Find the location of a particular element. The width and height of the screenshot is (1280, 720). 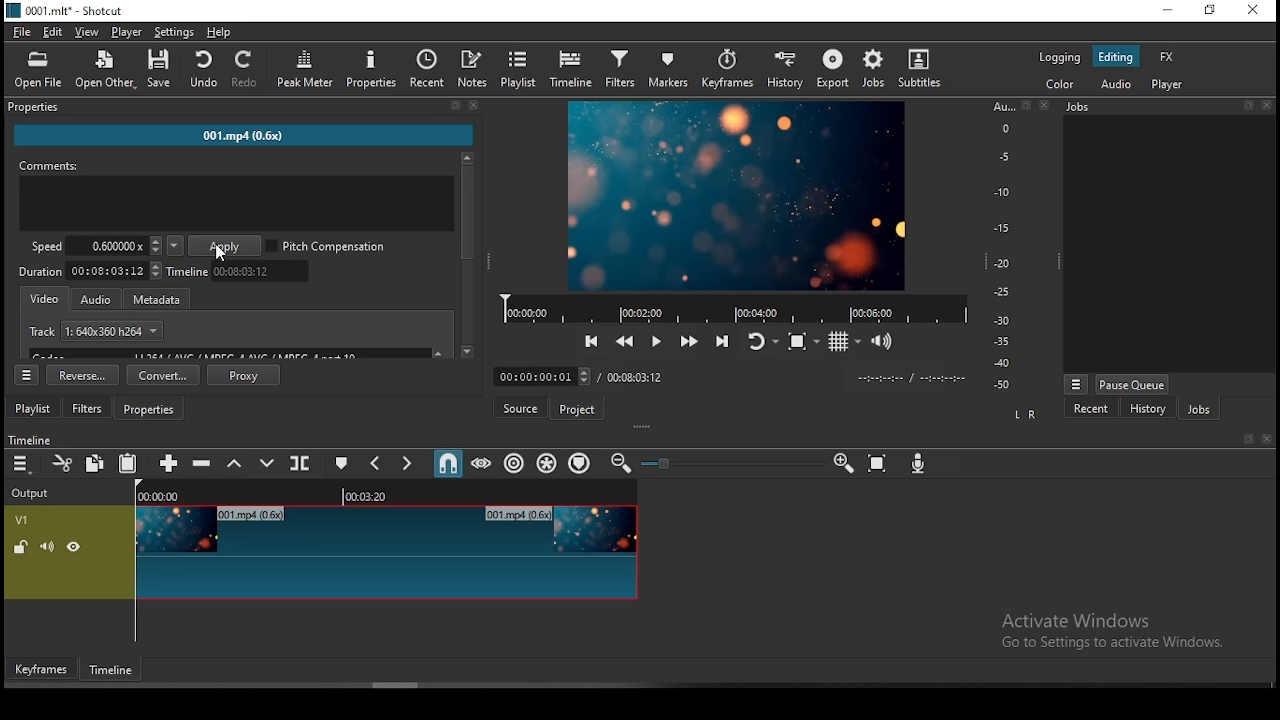

bookmark is located at coordinates (1243, 439).